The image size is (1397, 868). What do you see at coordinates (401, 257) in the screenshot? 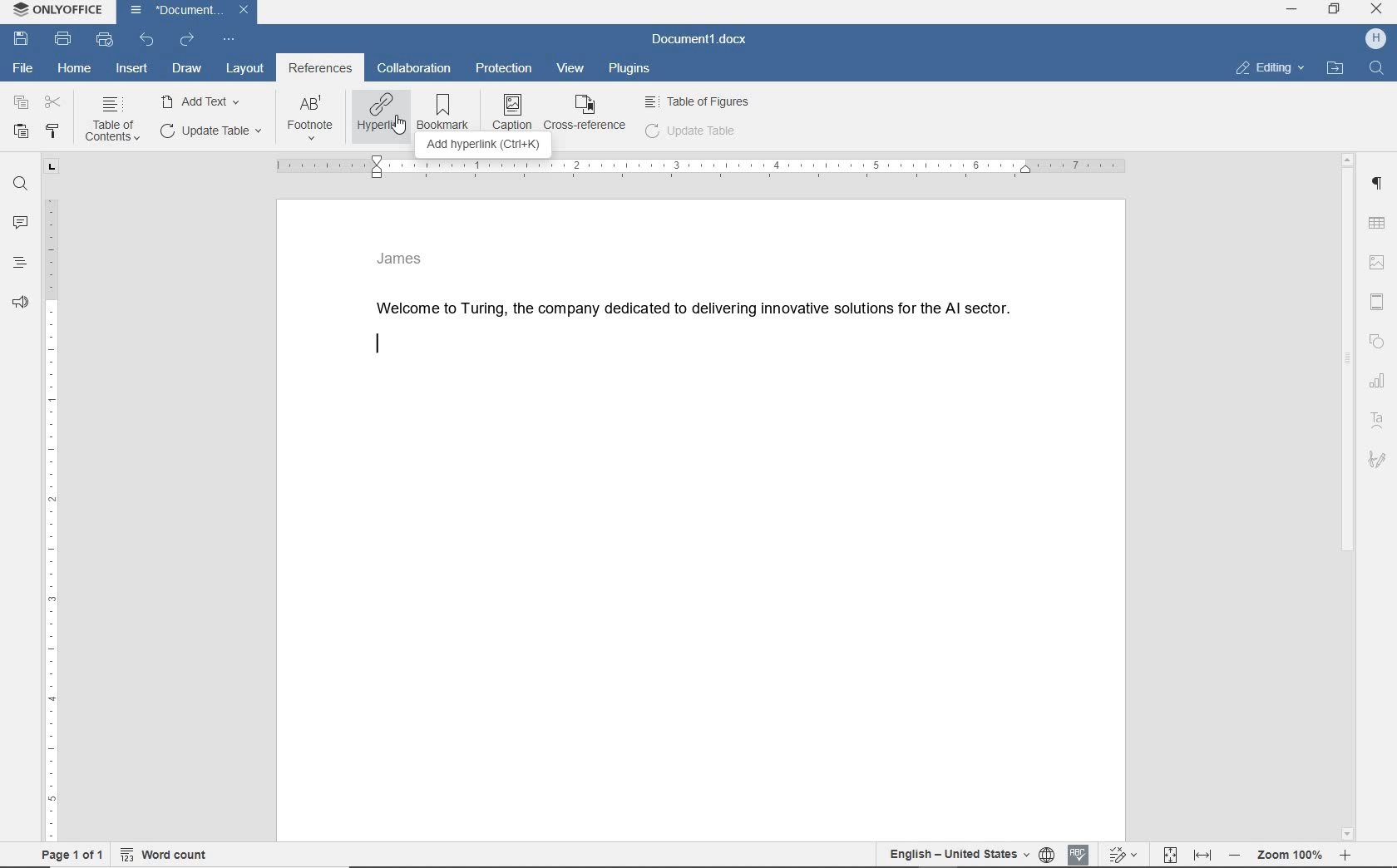
I see `James` at bounding box center [401, 257].